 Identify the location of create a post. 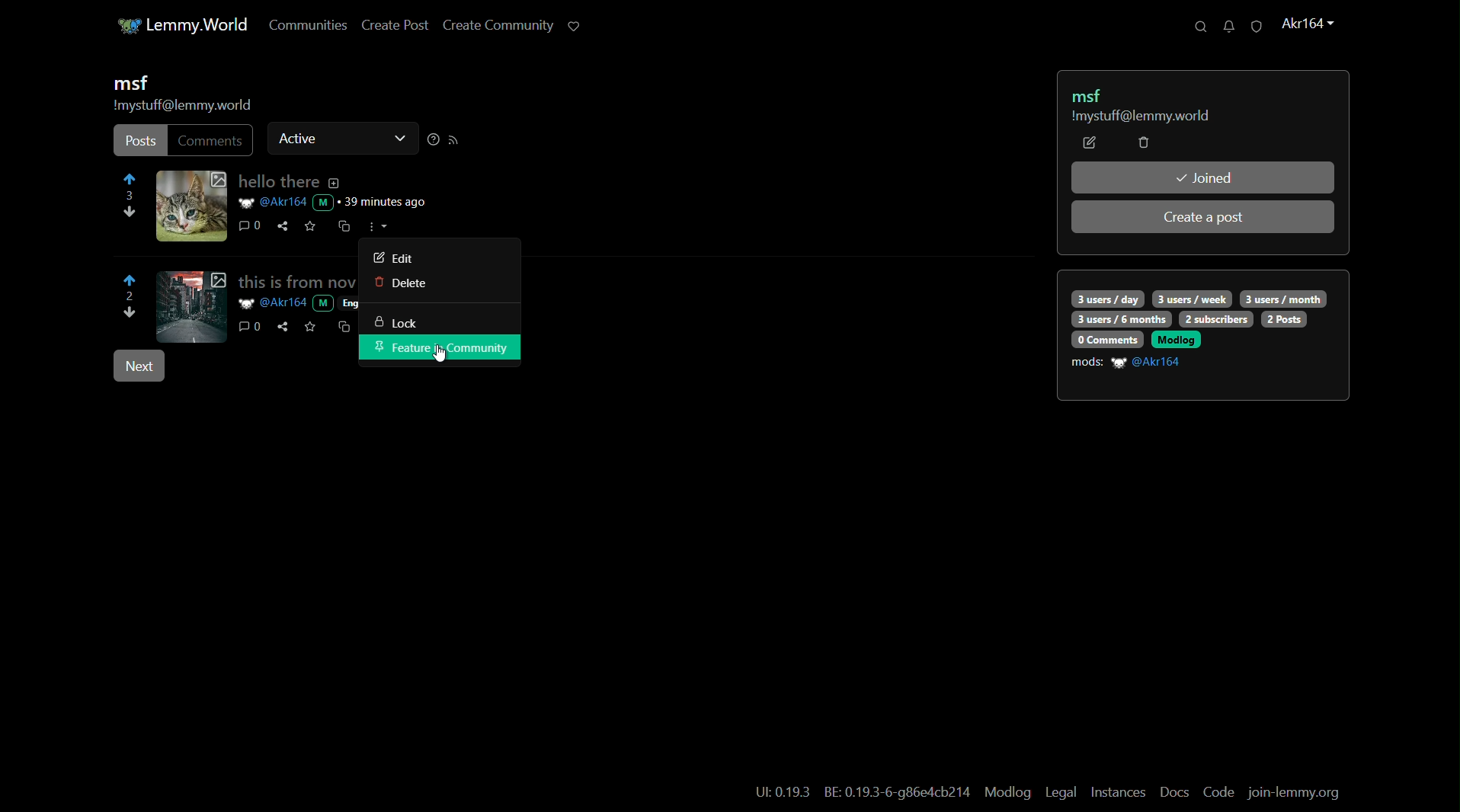
(1205, 218).